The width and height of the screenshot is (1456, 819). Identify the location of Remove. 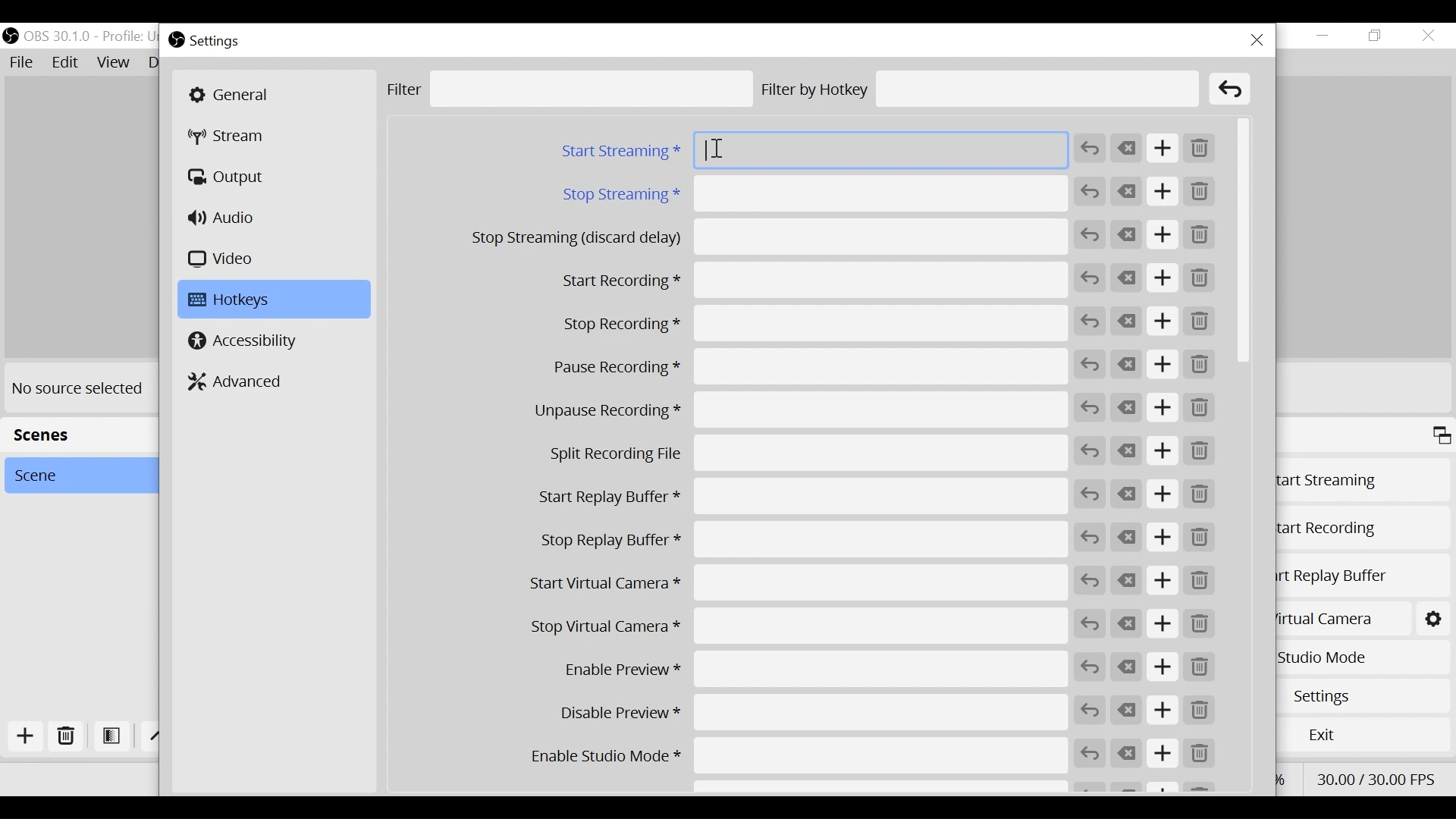
(1202, 624).